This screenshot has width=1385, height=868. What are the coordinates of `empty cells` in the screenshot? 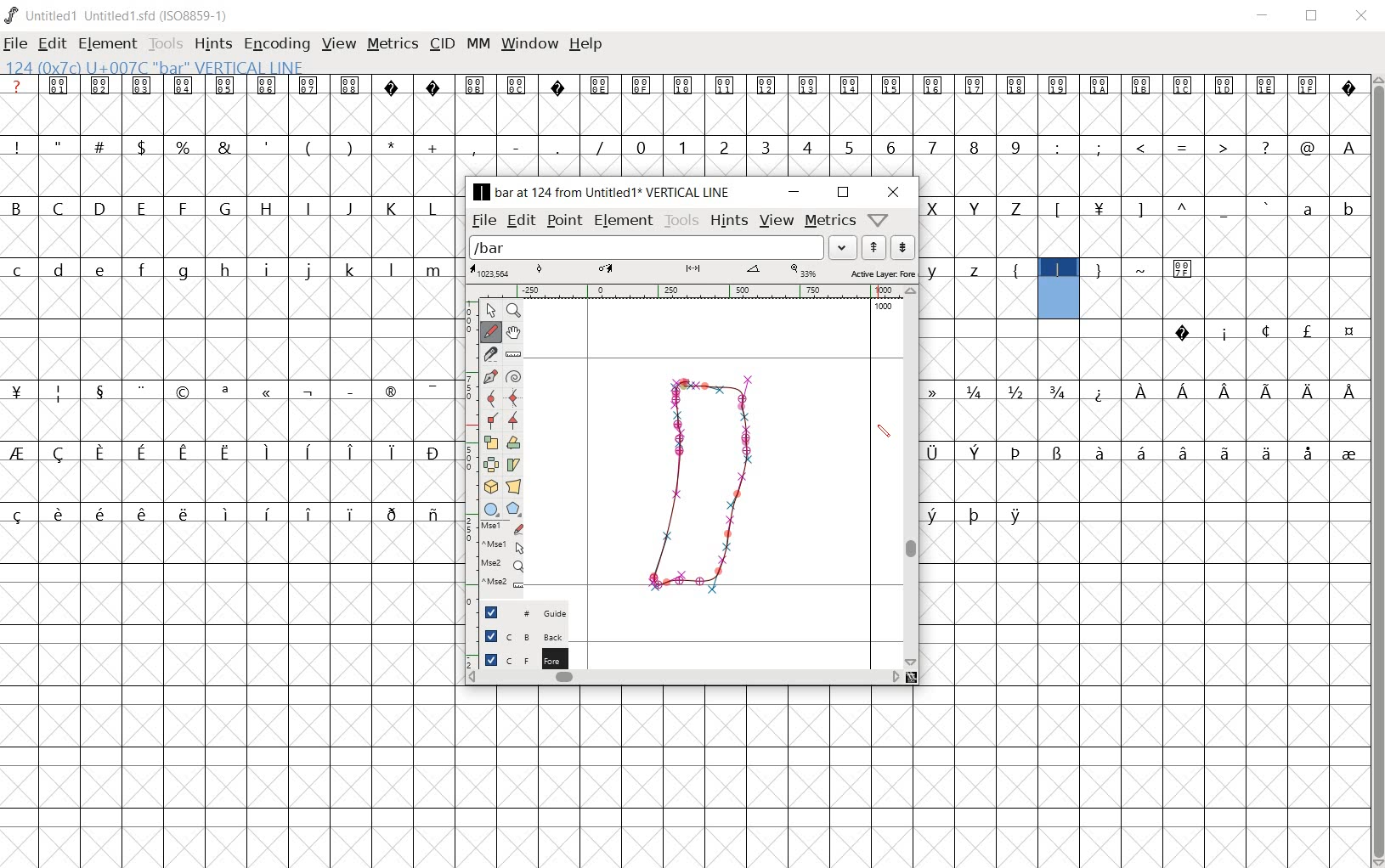 It's located at (231, 480).